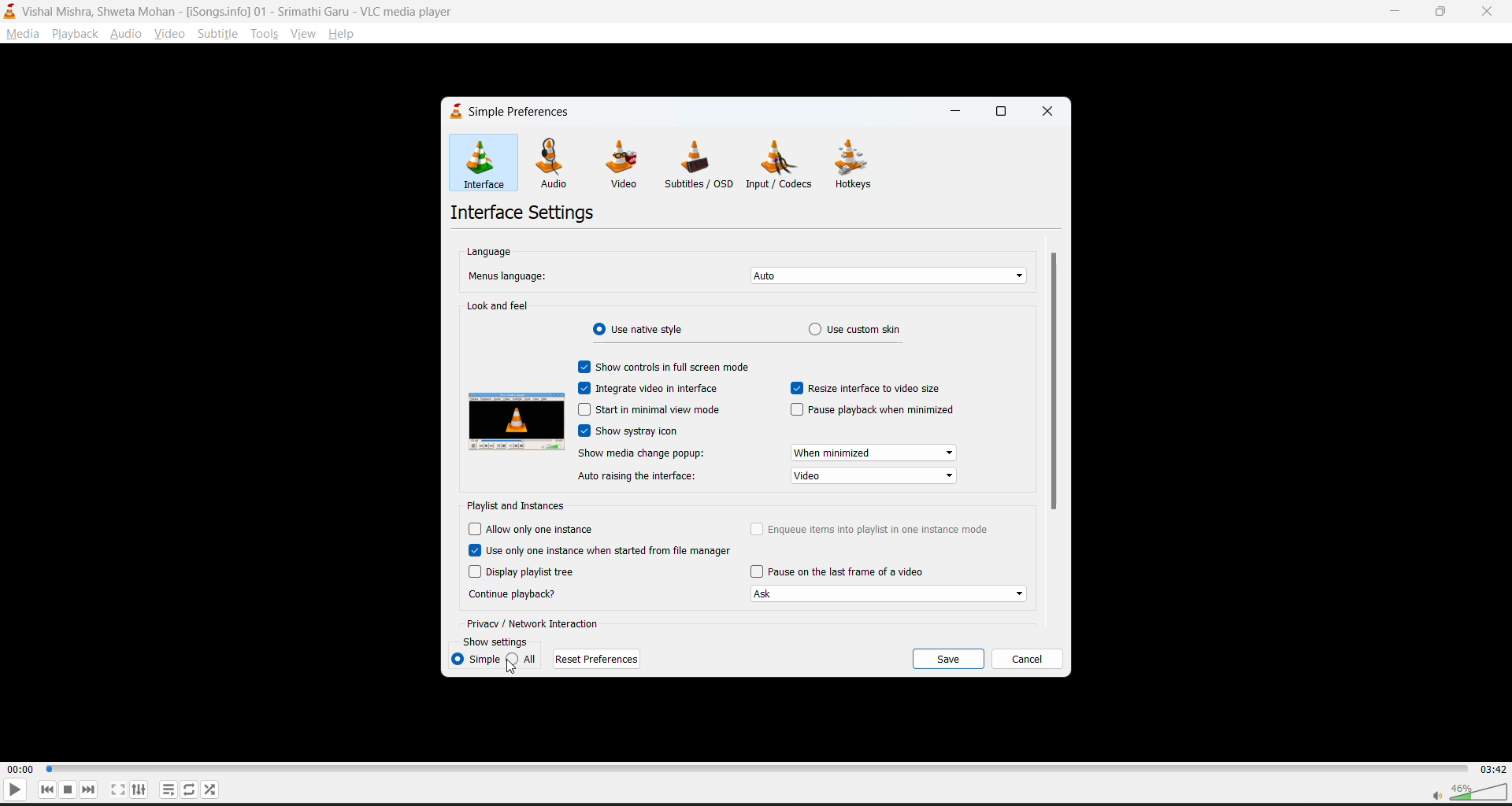  What do you see at coordinates (524, 660) in the screenshot?
I see `all` at bounding box center [524, 660].